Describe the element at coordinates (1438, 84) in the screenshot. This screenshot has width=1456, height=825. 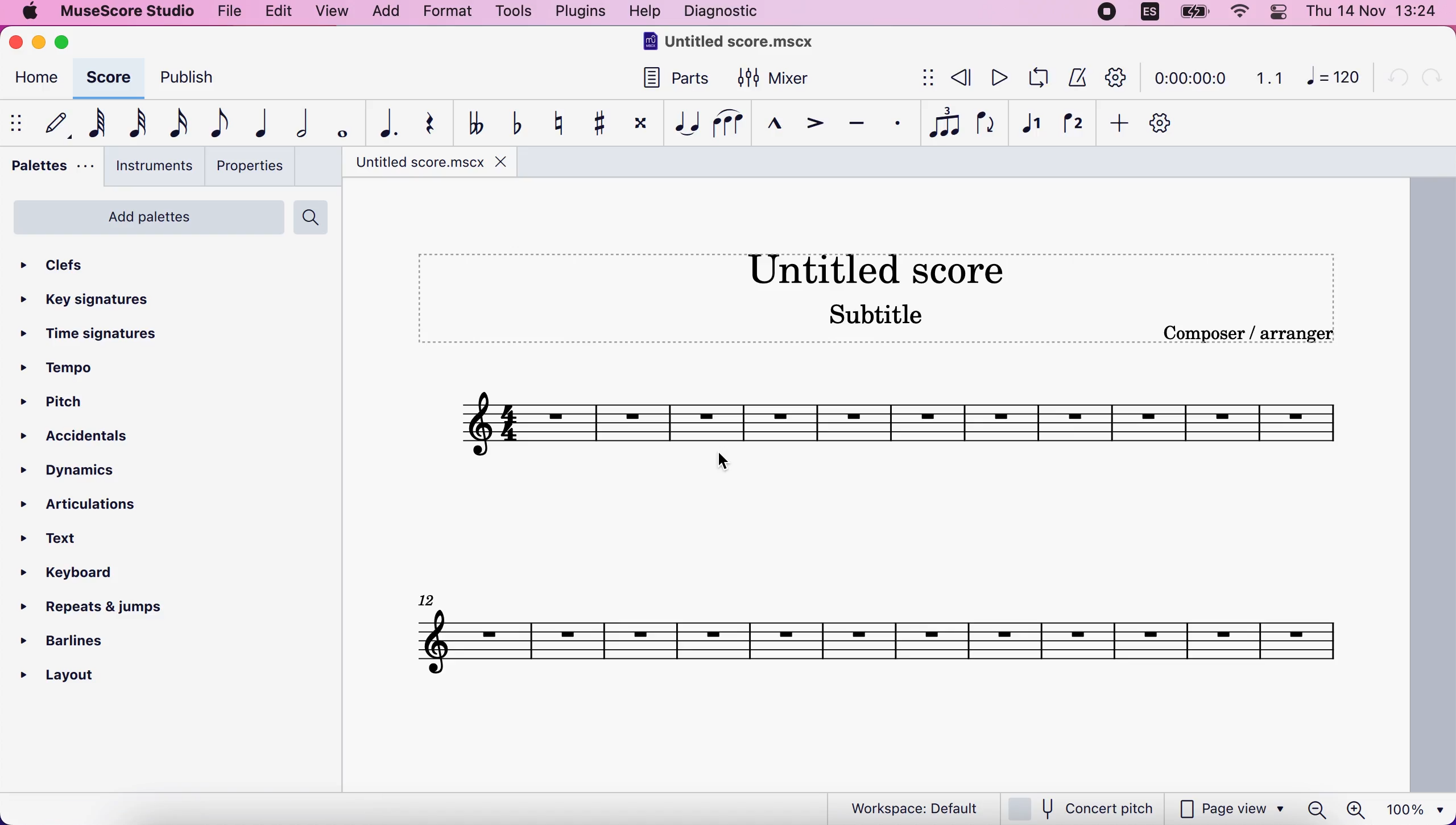
I see `redo` at that location.